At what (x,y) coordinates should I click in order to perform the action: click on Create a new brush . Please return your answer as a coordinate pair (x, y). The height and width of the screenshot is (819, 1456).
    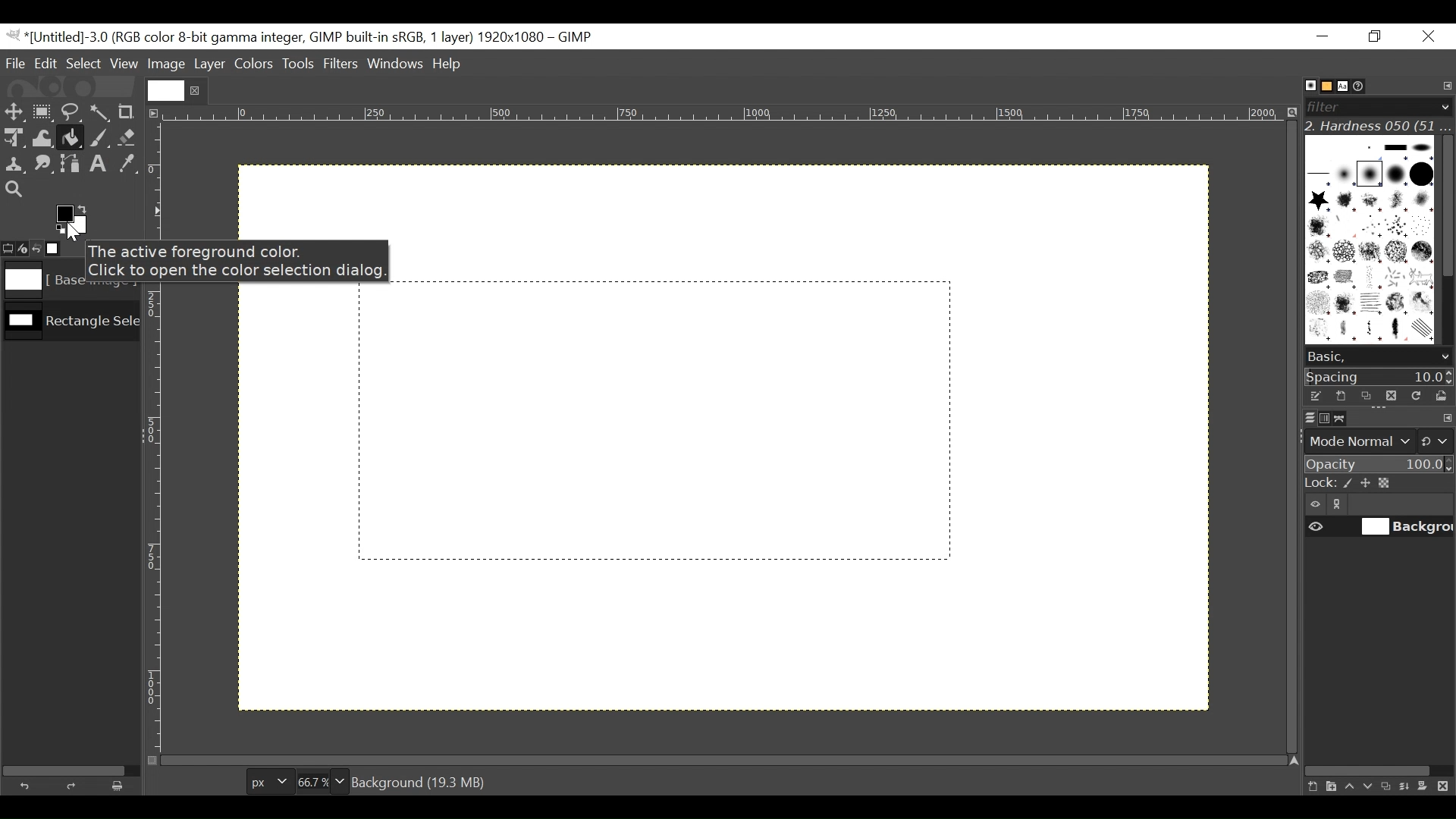
    Looking at the image, I should click on (1340, 396).